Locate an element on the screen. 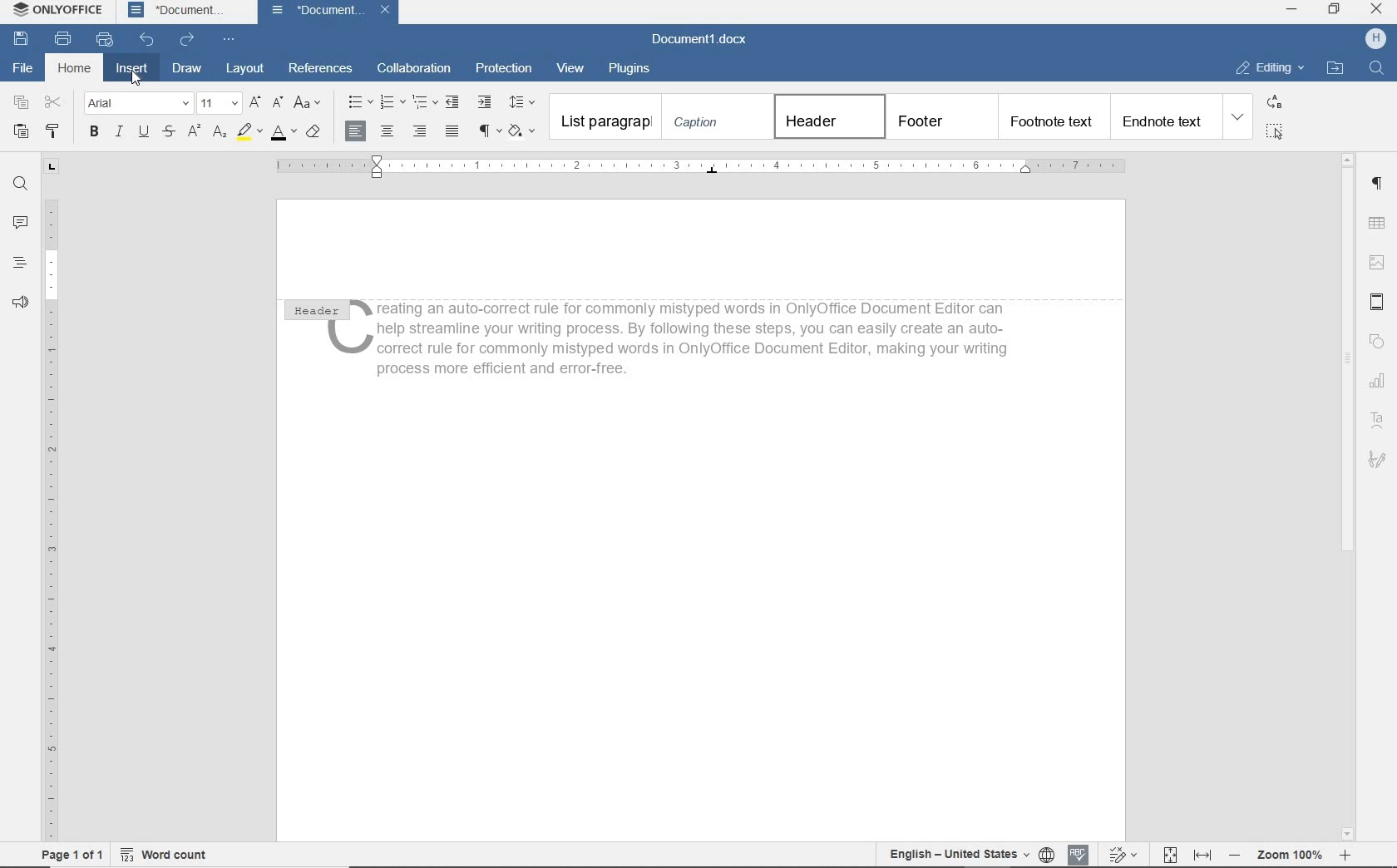 The image size is (1397, 868). FONT is located at coordinates (138, 105).